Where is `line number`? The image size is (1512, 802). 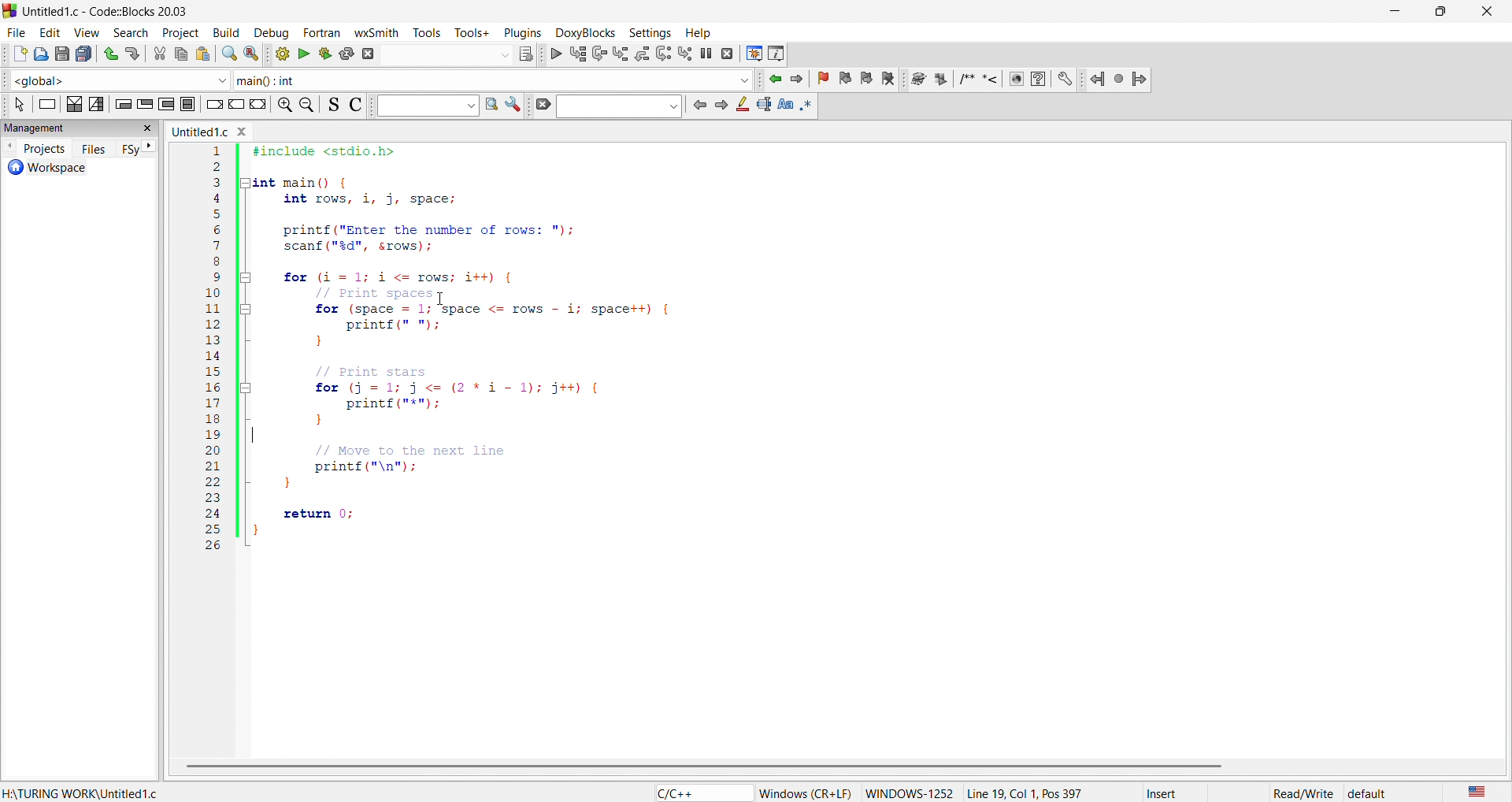
line number is located at coordinates (220, 350).